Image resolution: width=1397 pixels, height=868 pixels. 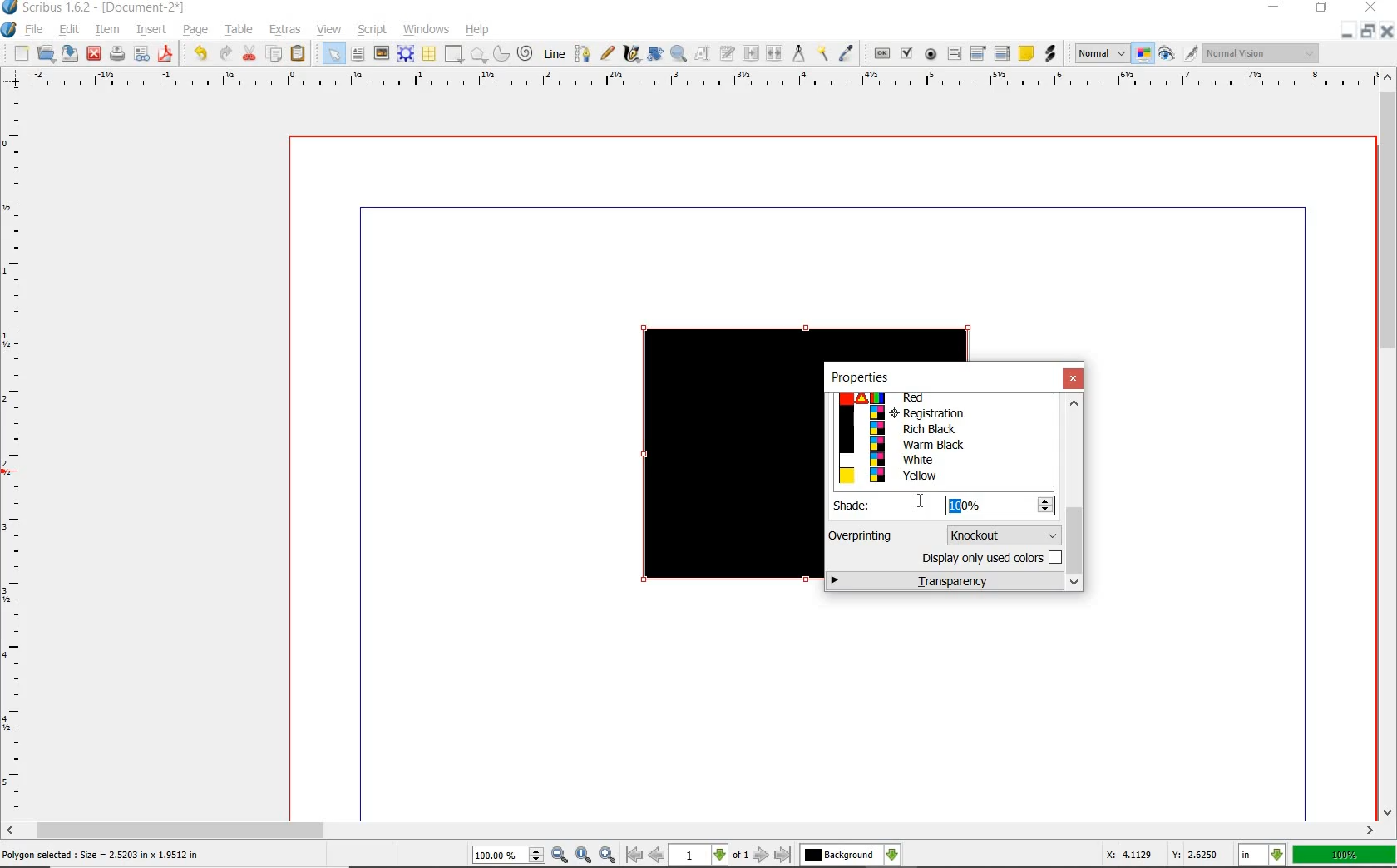 What do you see at coordinates (691, 831) in the screenshot?
I see `scrollbar` at bounding box center [691, 831].